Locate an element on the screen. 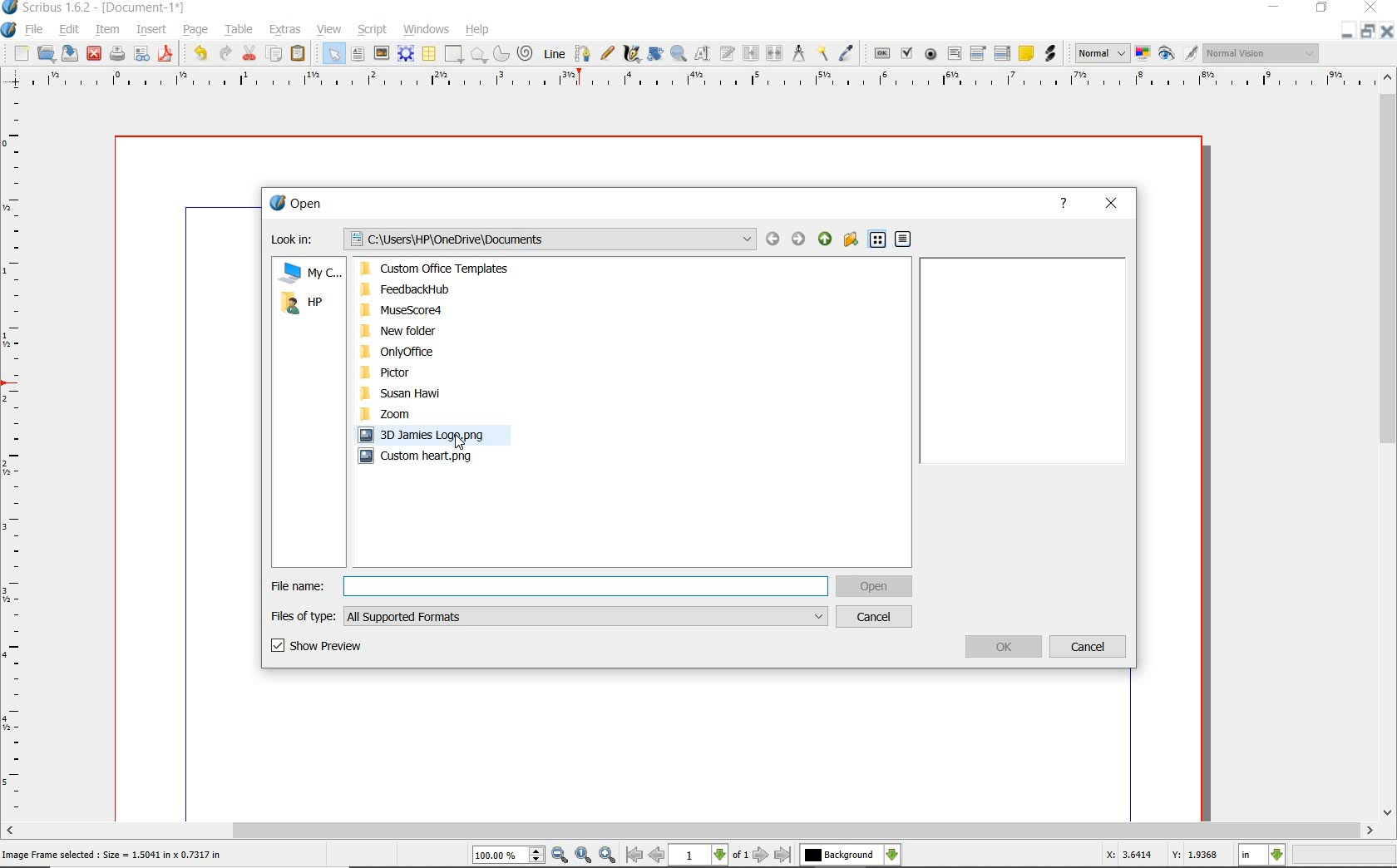  pdf text field is located at coordinates (955, 53).